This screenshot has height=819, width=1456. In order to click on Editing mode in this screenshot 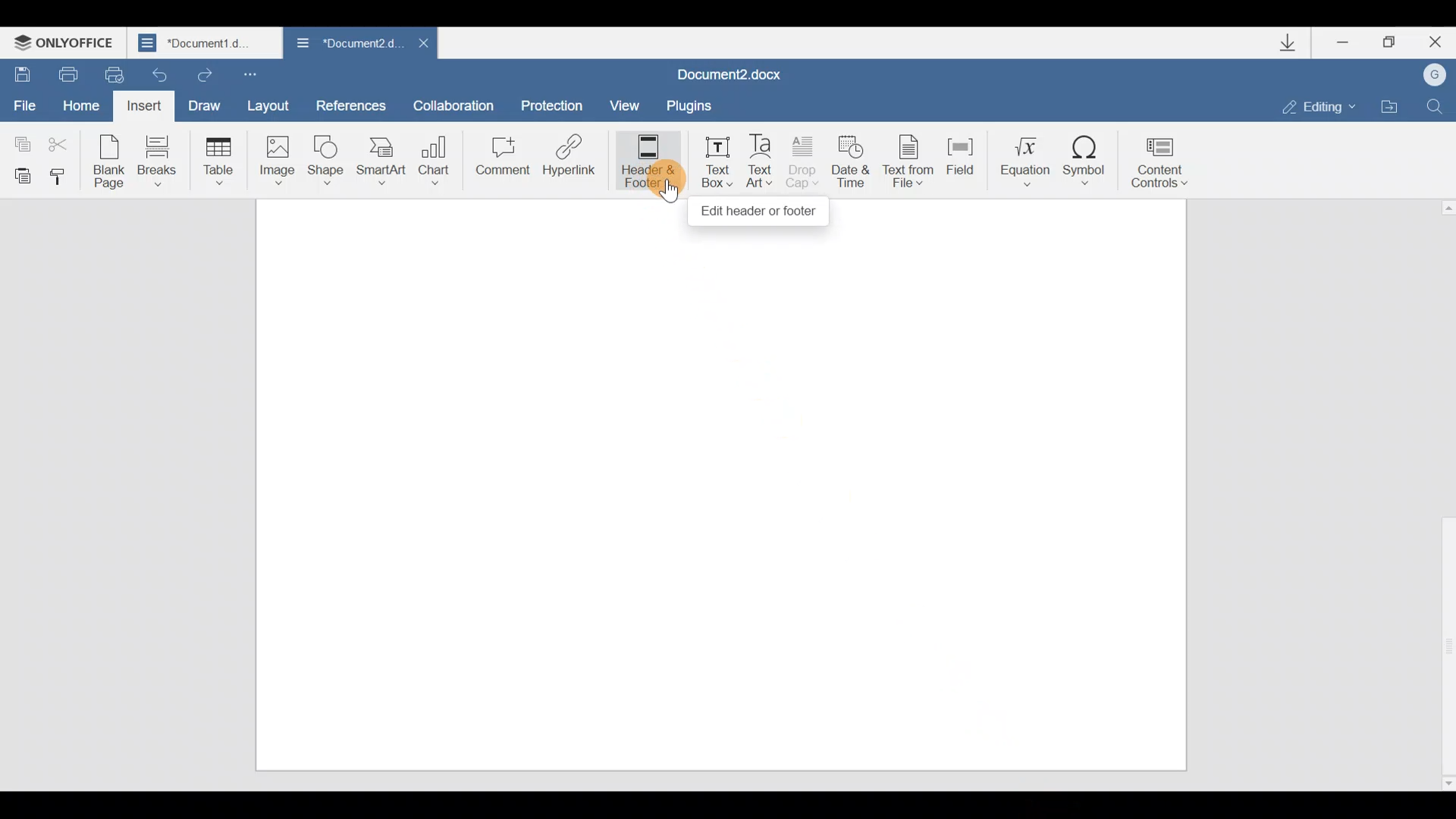, I will do `click(1310, 105)`.